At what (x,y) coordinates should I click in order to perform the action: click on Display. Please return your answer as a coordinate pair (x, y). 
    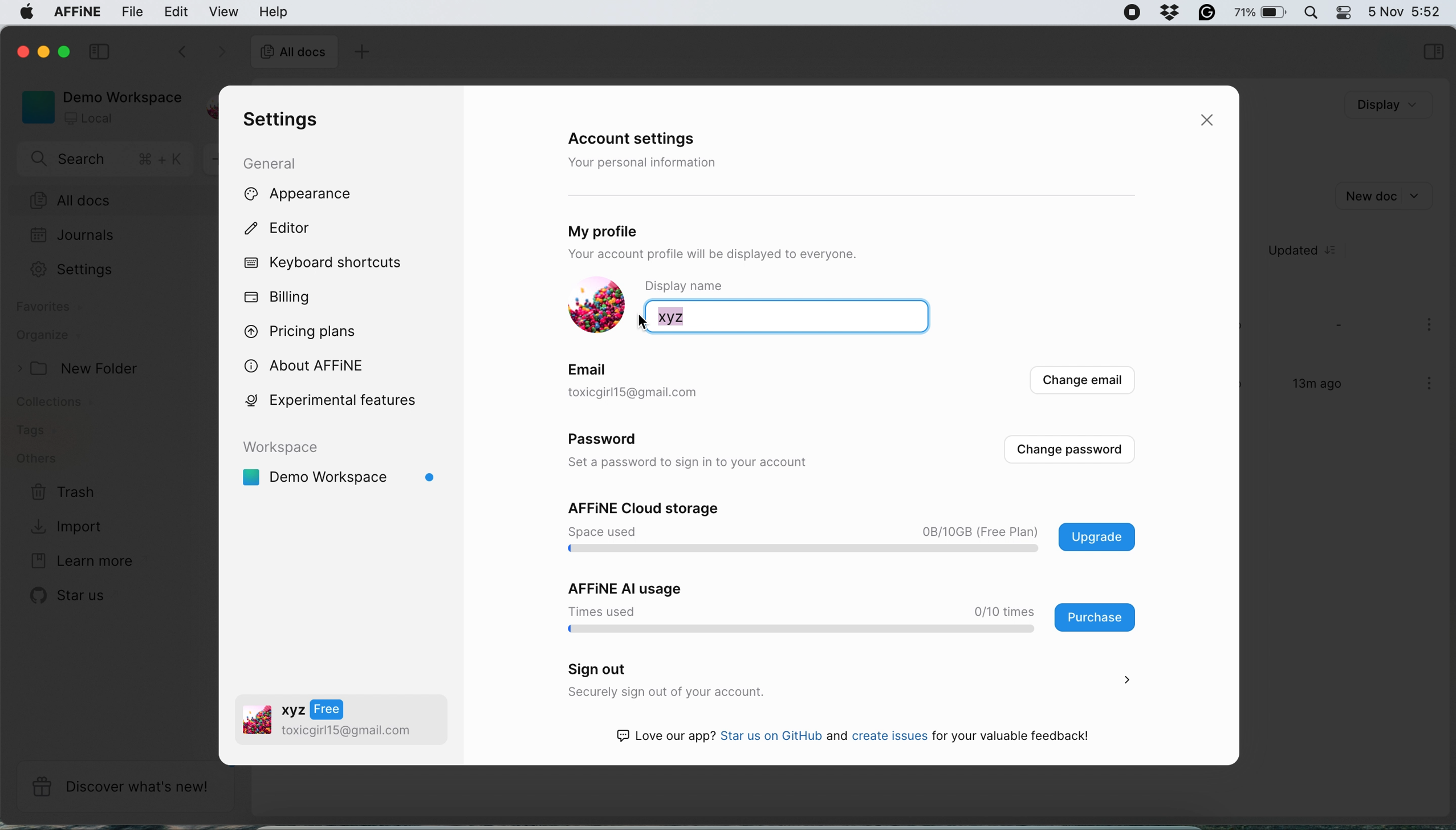
    Looking at the image, I should click on (1370, 105).